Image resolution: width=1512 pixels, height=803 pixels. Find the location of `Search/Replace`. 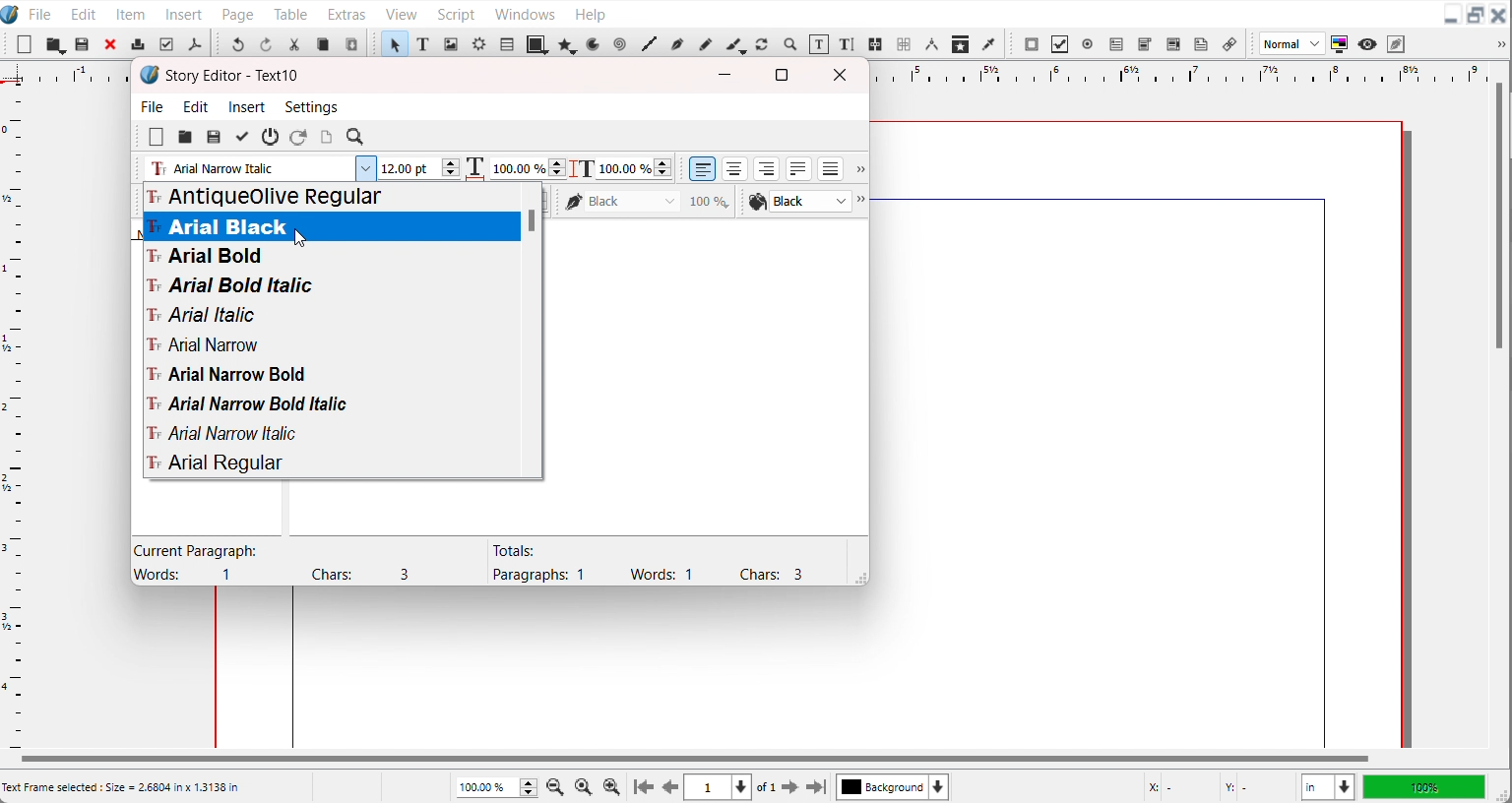

Search/Replace is located at coordinates (357, 138).